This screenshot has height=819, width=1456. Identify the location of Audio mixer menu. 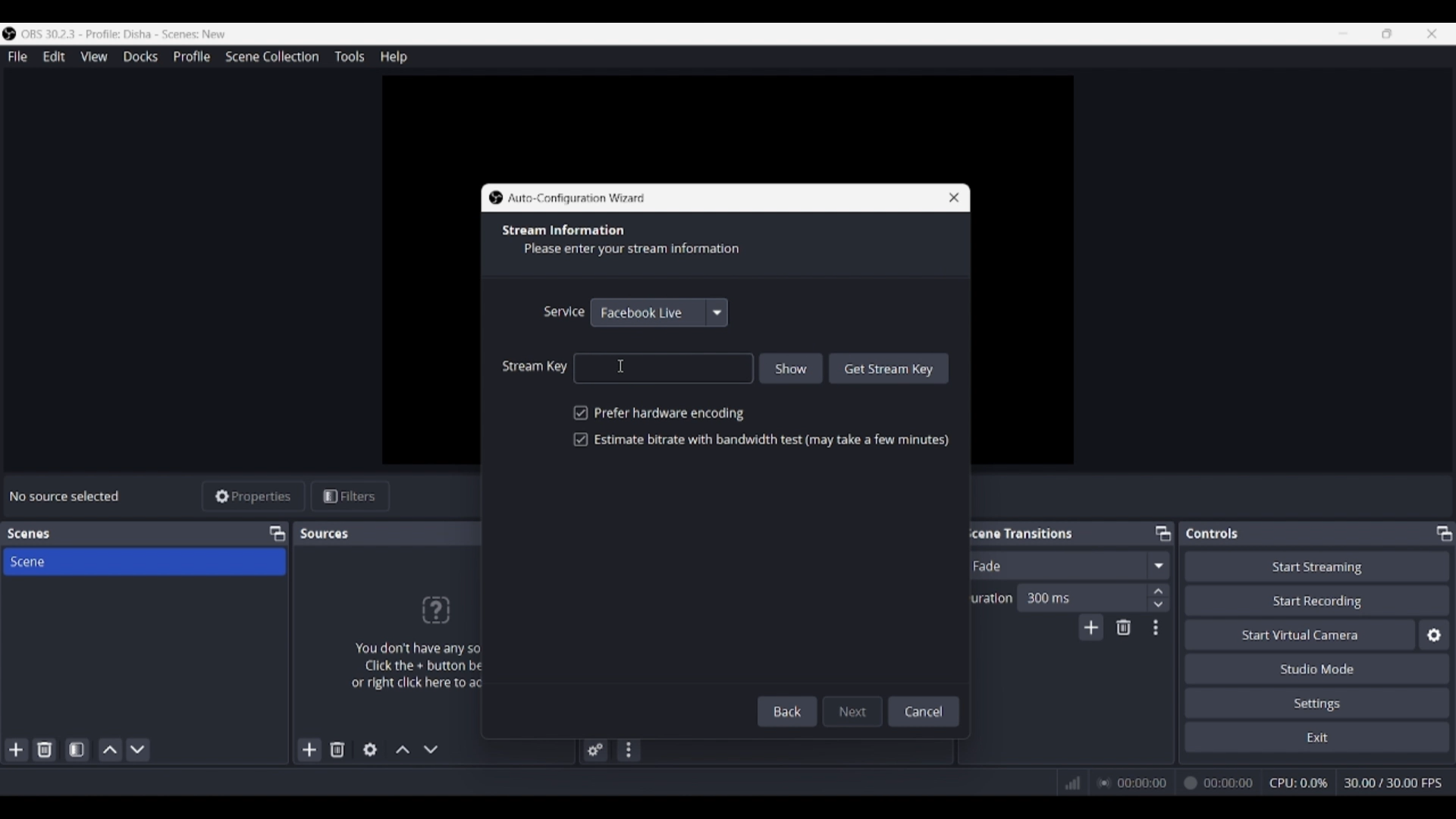
(628, 750).